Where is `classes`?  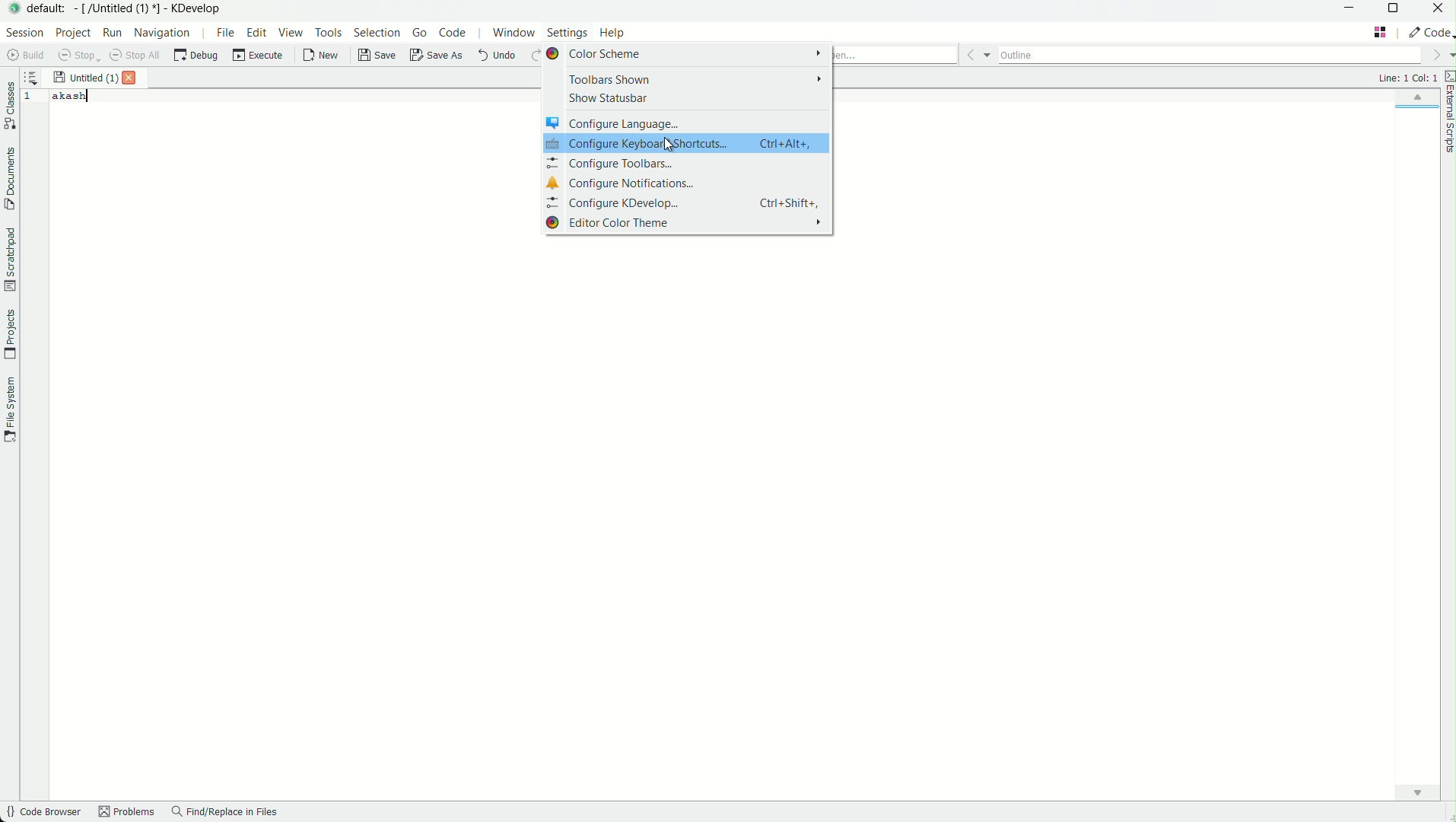 classes is located at coordinates (10, 107).